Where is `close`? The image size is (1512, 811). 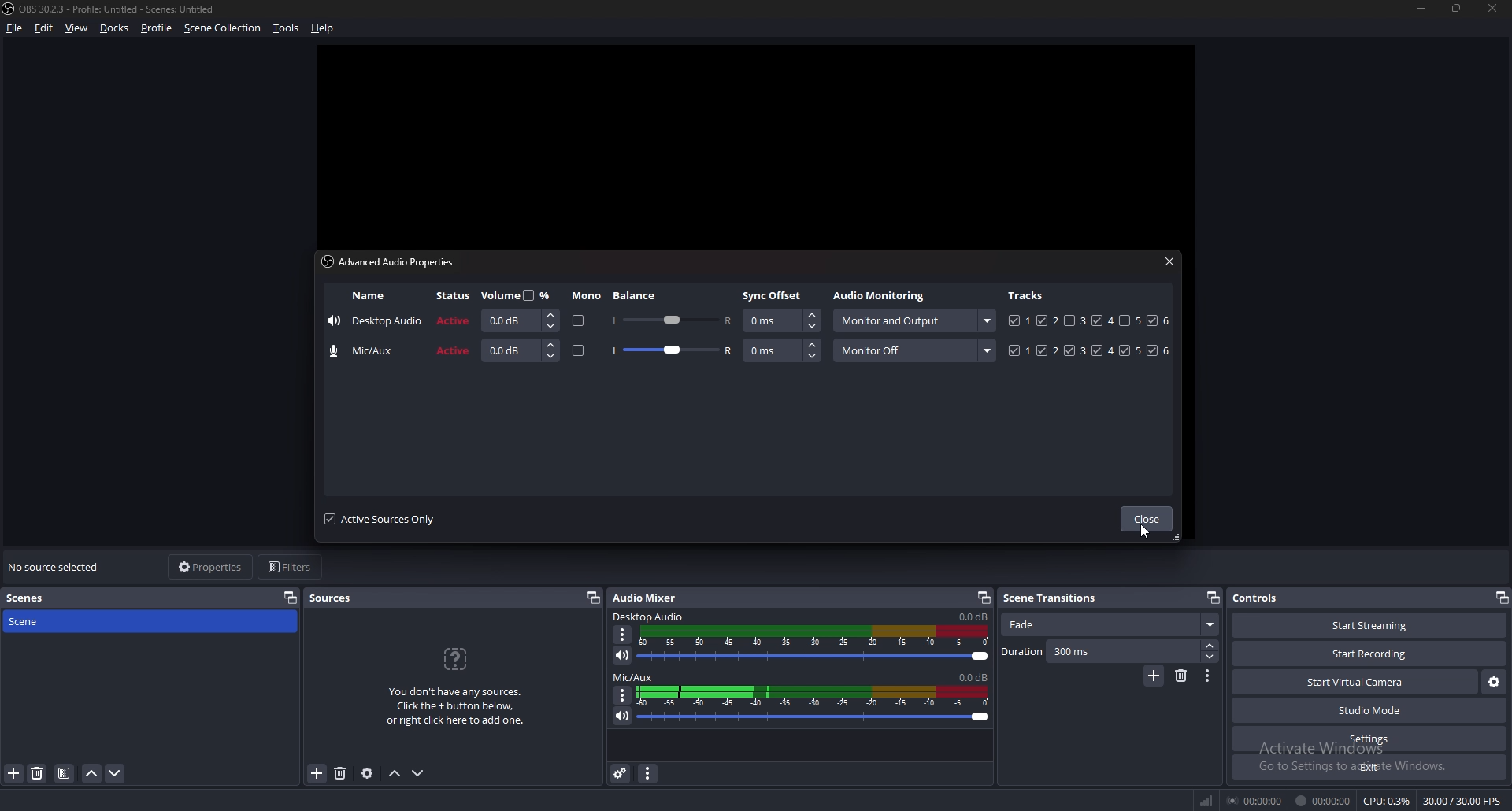
close is located at coordinates (1146, 520).